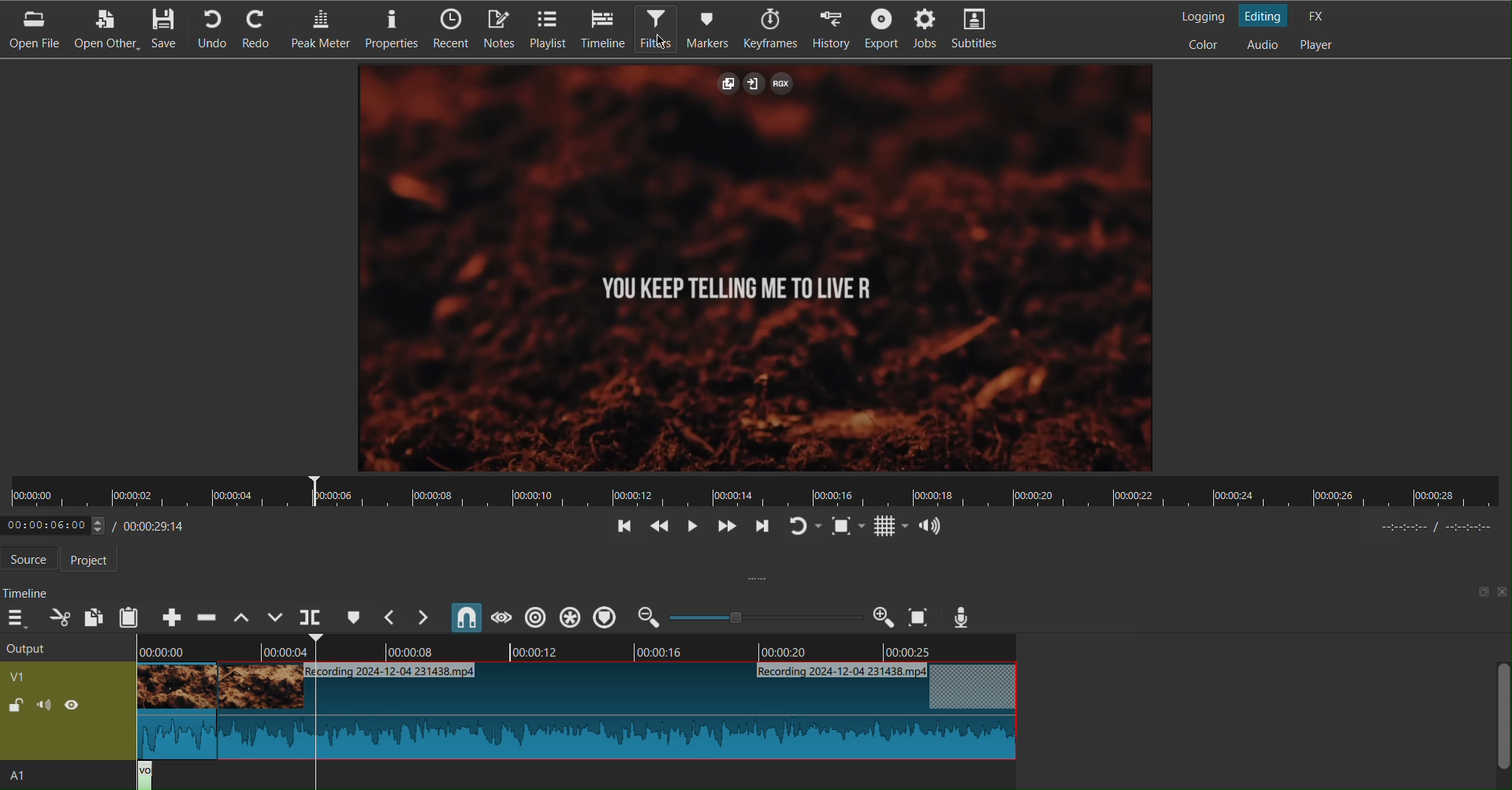 The height and width of the screenshot is (790, 1512). What do you see at coordinates (892, 527) in the screenshot?
I see `Grid` at bounding box center [892, 527].